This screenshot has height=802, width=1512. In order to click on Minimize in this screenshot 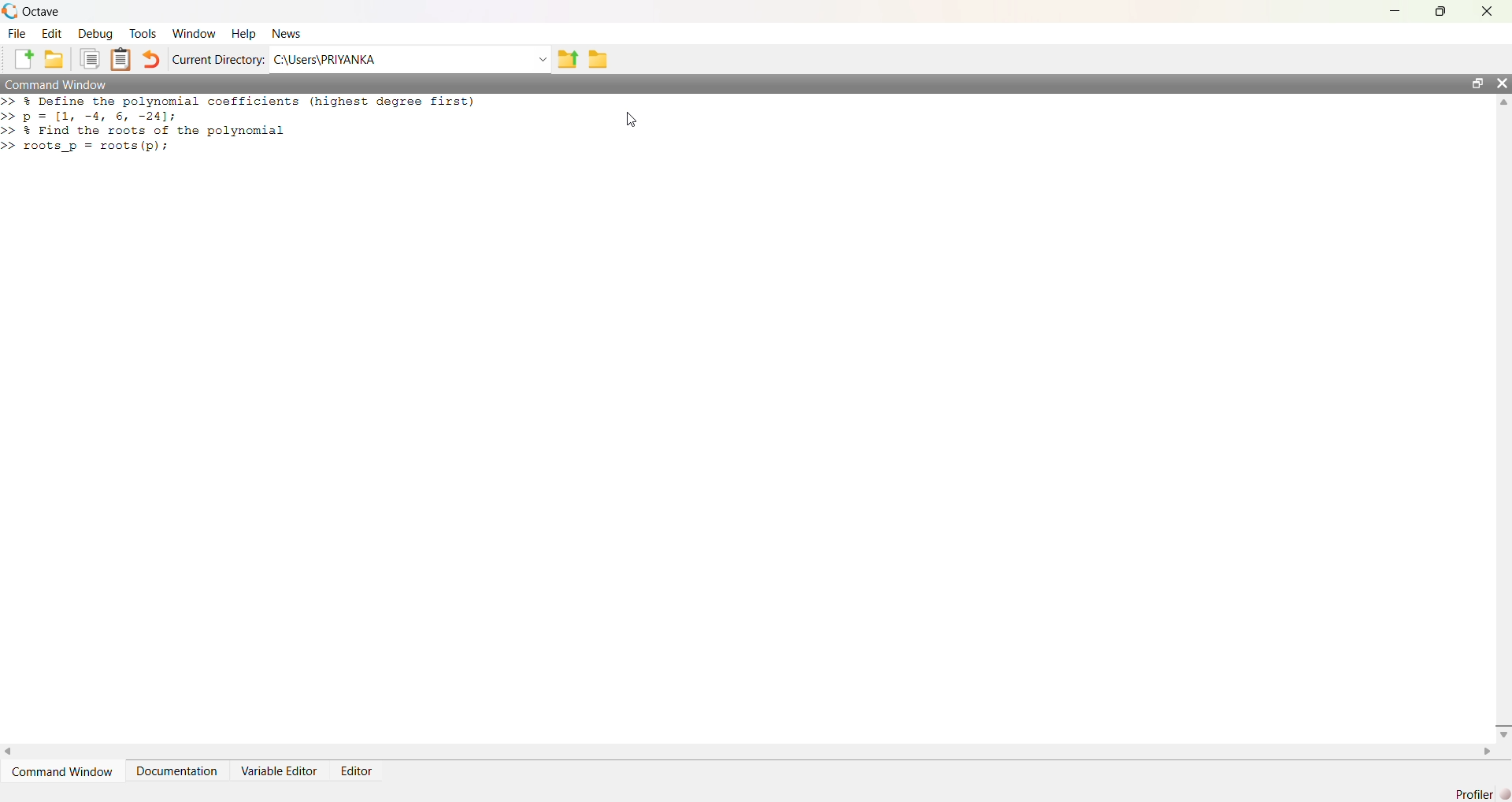, I will do `click(1397, 9)`.